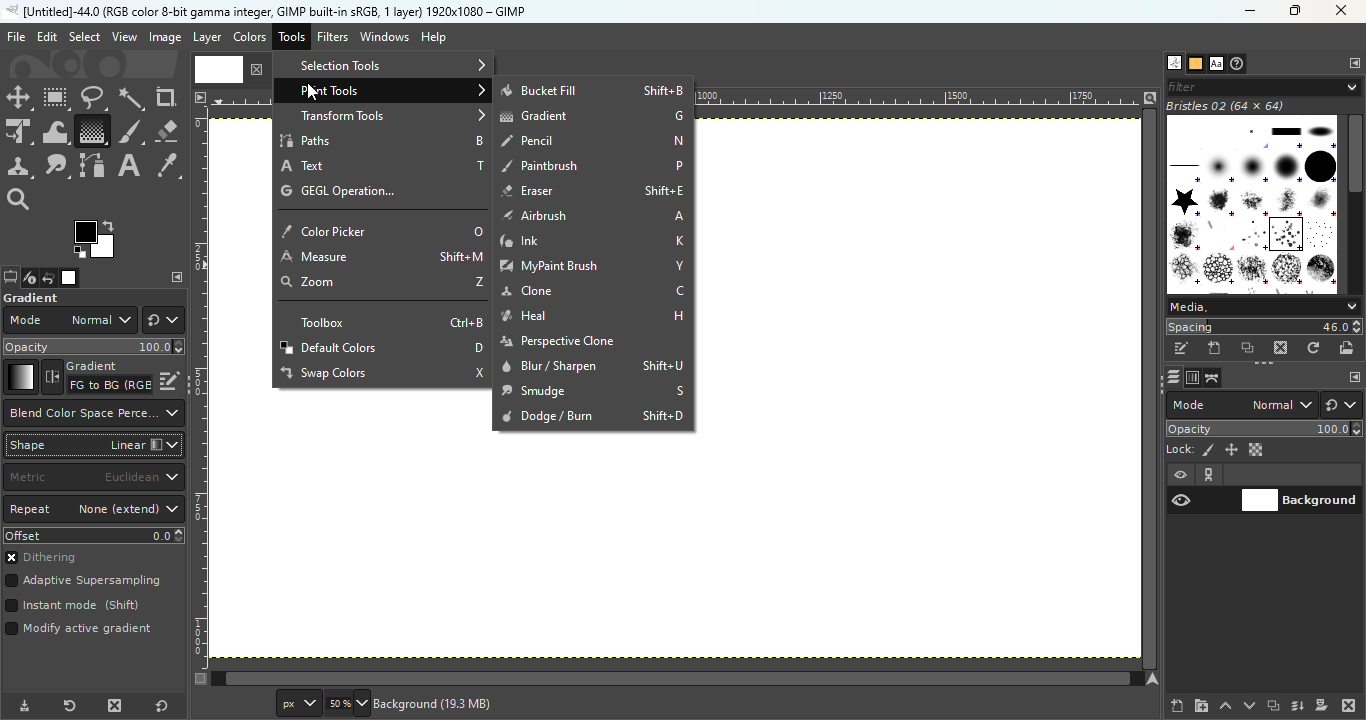  What do you see at coordinates (130, 130) in the screenshot?
I see `Paint brush tool` at bounding box center [130, 130].